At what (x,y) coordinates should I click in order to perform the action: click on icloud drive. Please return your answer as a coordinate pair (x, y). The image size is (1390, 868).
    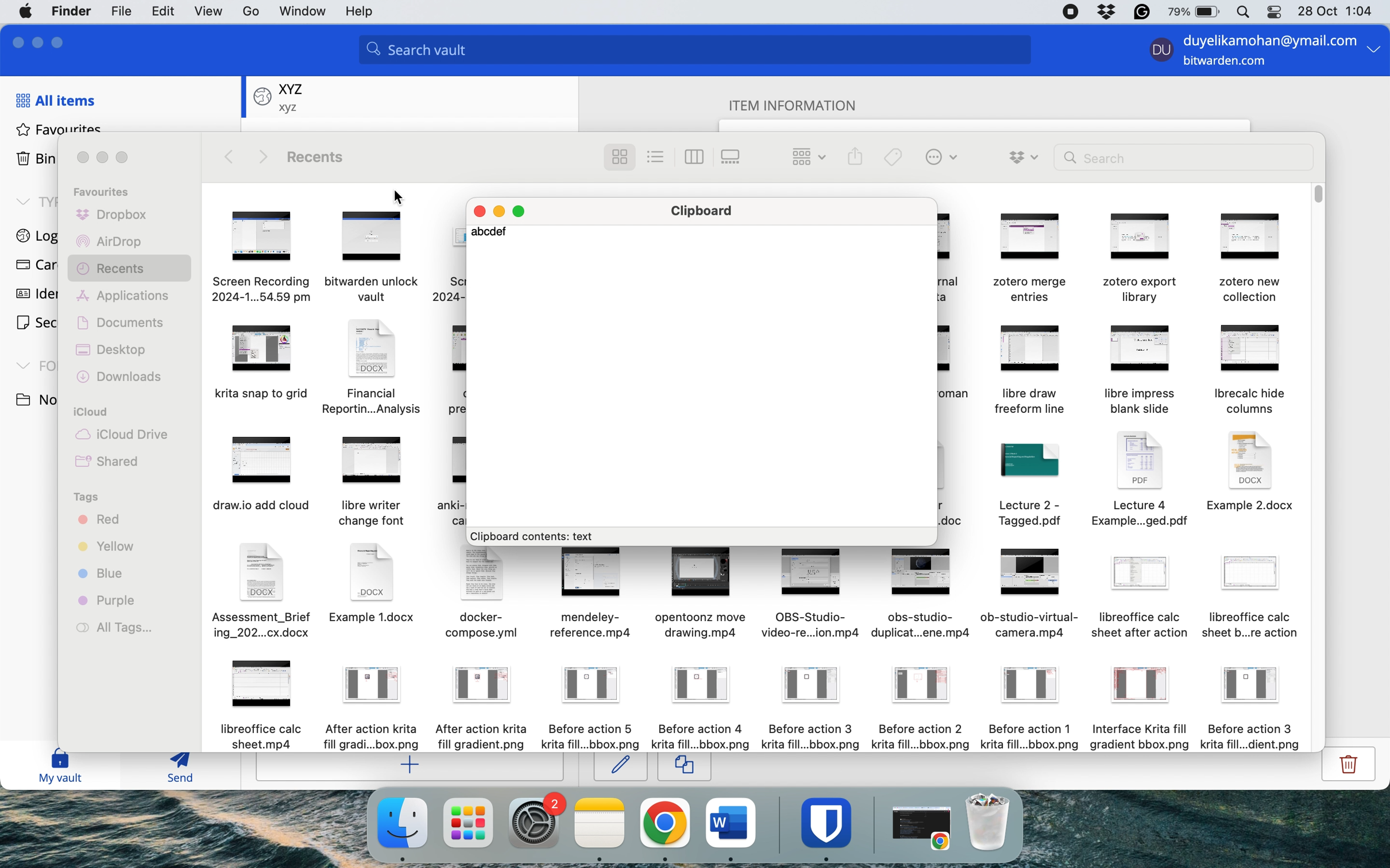
    Looking at the image, I should click on (121, 436).